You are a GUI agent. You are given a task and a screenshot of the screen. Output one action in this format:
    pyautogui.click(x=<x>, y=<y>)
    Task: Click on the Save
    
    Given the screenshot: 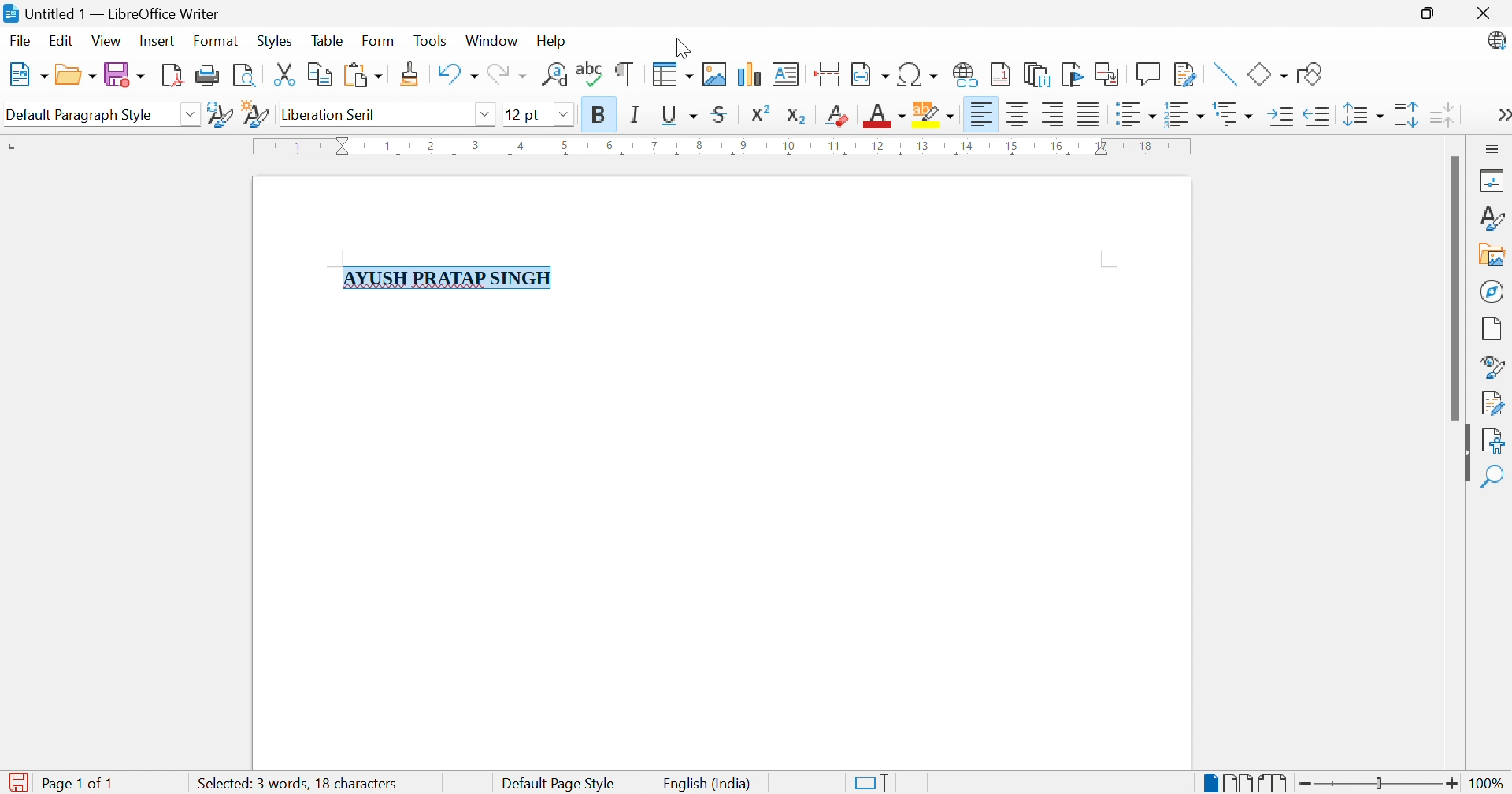 What is the action you would take?
    pyautogui.click(x=125, y=74)
    